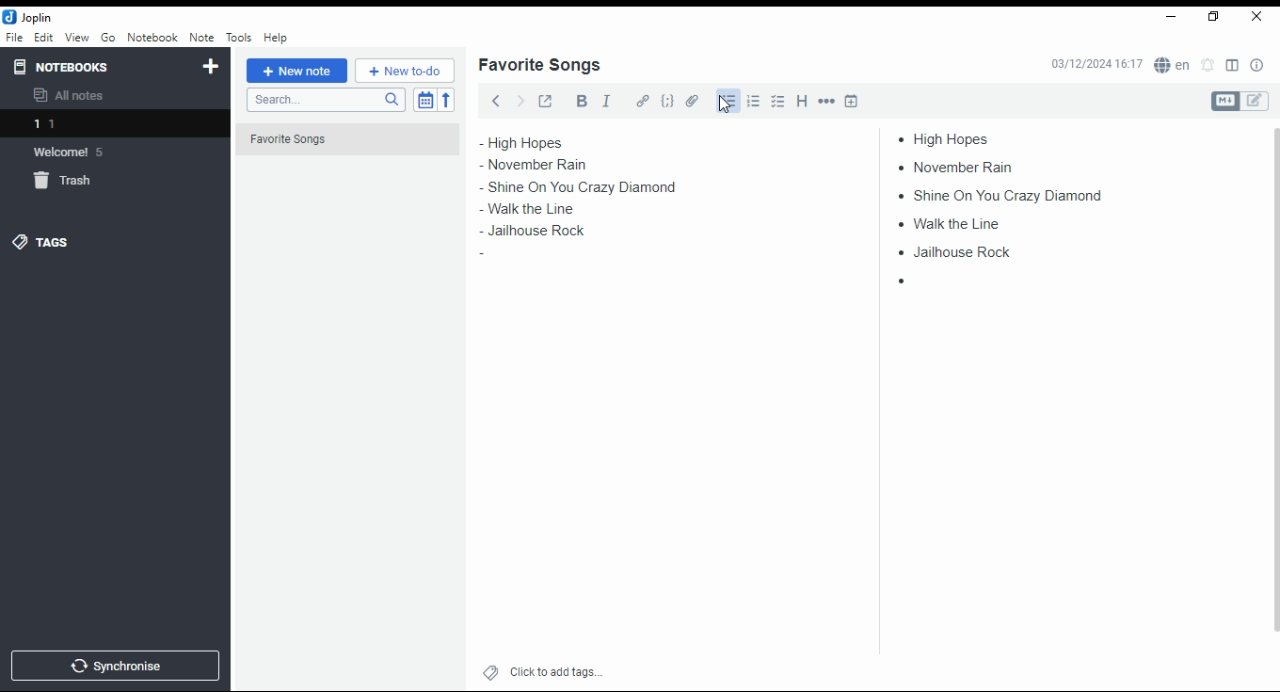 Image resolution: width=1280 pixels, height=692 pixels. Describe the element at coordinates (1233, 66) in the screenshot. I see `toggle layout` at that location.